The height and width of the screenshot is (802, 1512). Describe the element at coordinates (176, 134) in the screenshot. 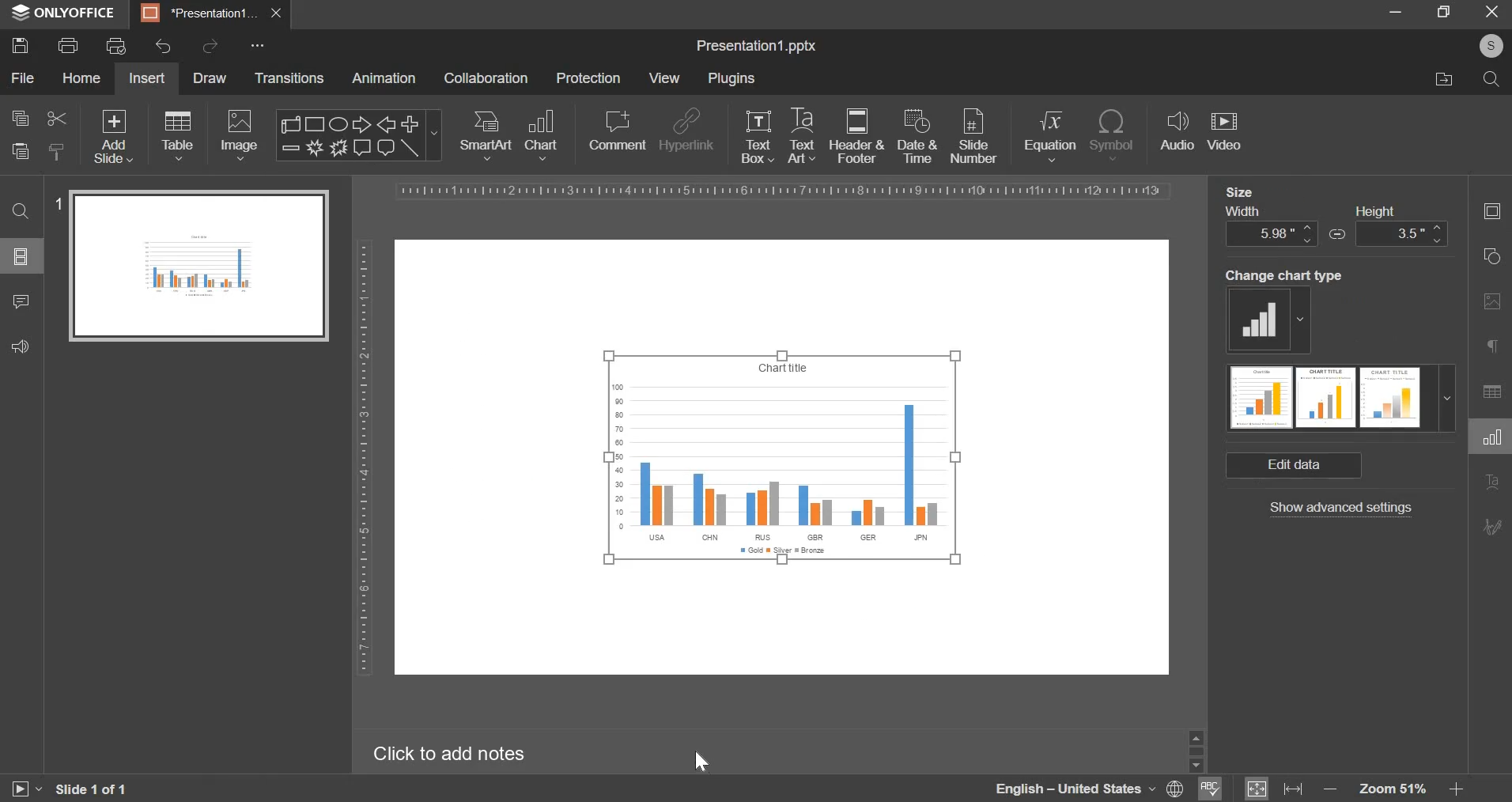

I see `table` at that location.